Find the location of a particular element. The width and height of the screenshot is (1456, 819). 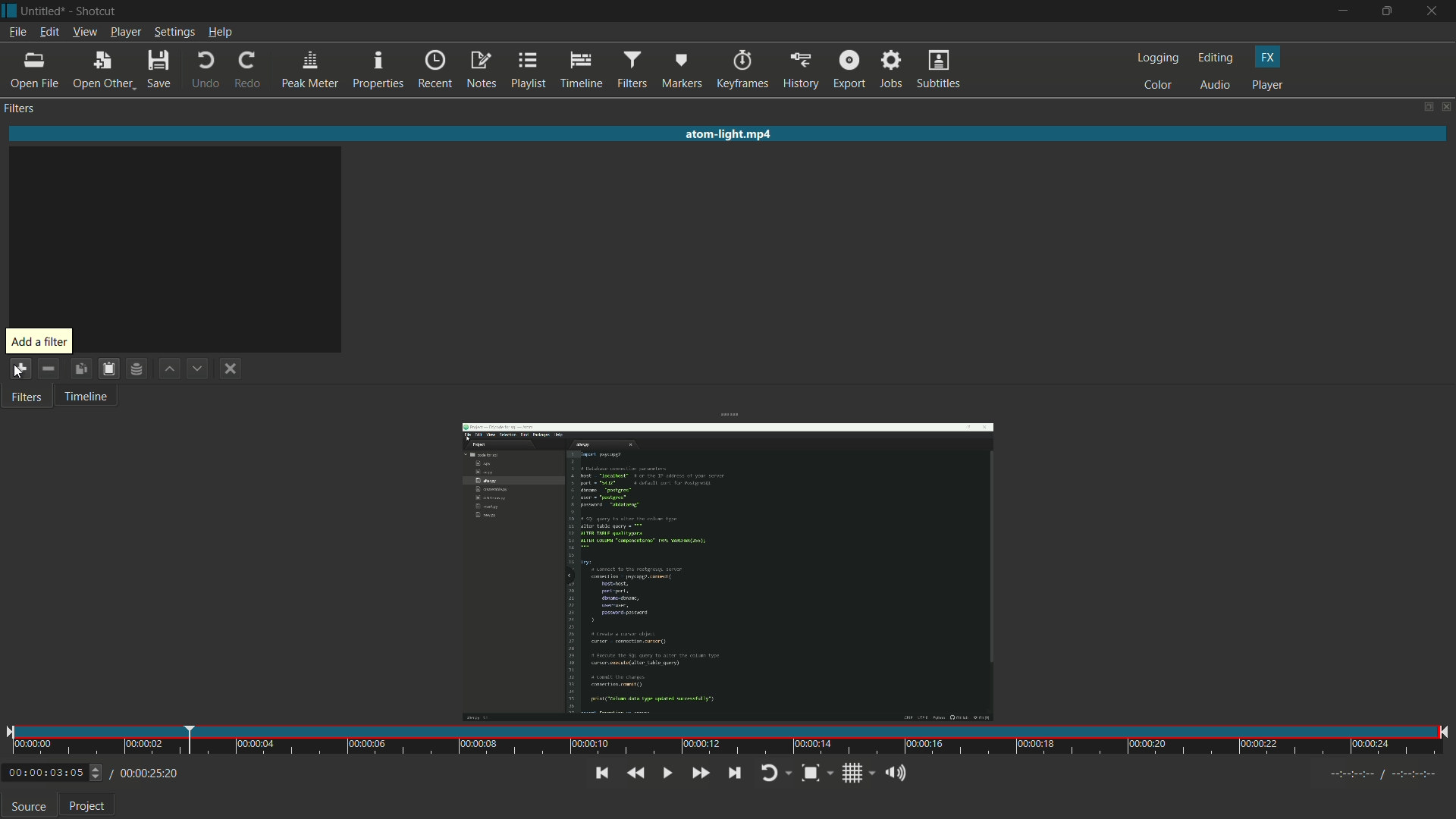

jobs is located at coordinates (889, 70).